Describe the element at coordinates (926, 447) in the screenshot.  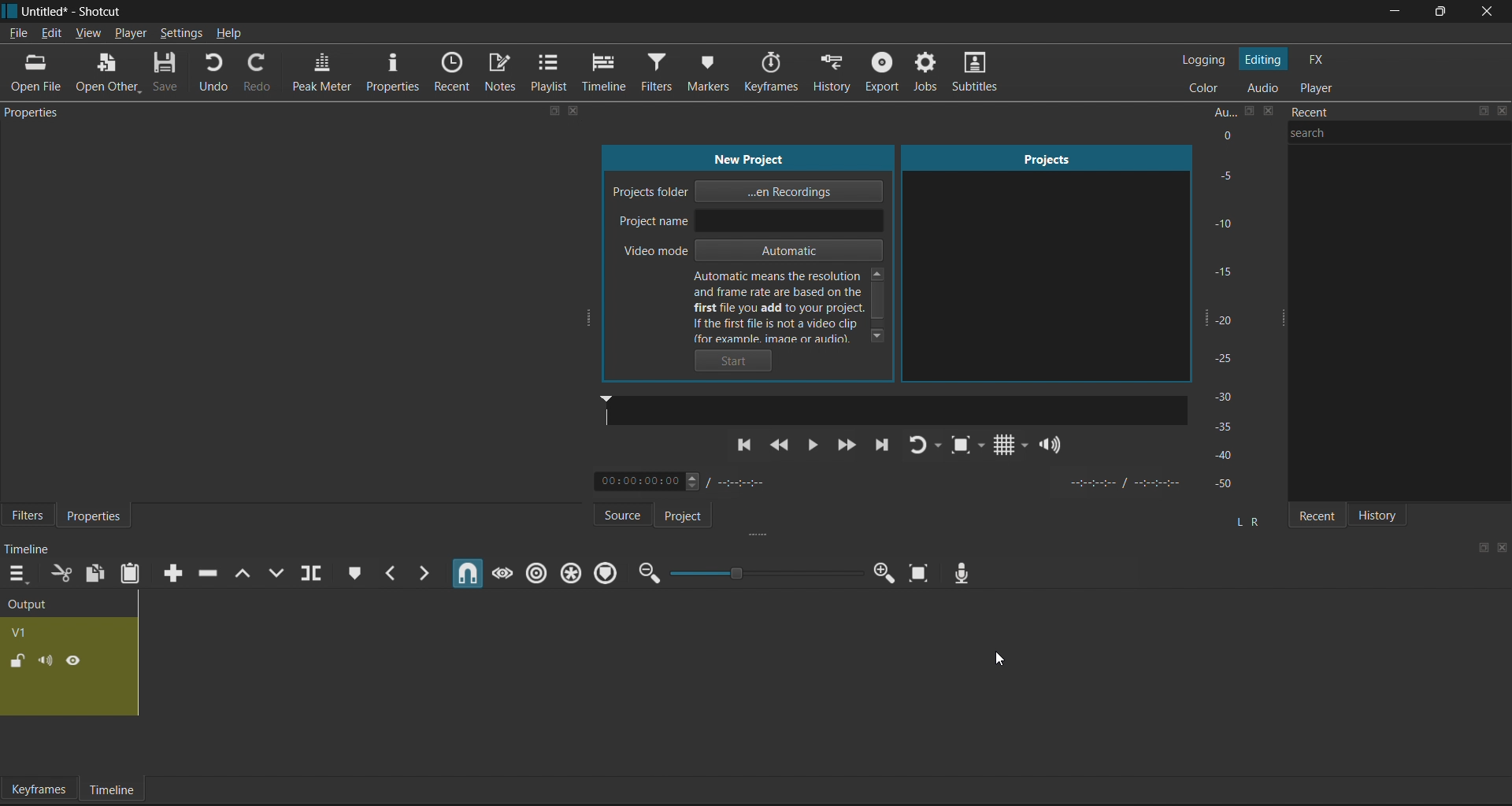
I see `Player Looping` at that location.